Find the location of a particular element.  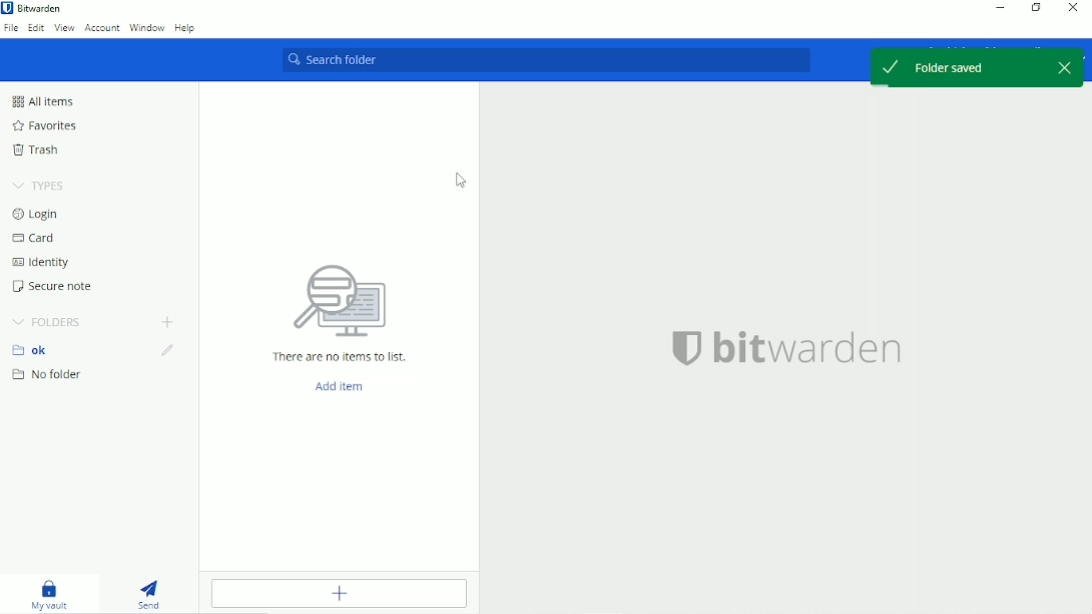

All items is located at coordinates (42, 101).